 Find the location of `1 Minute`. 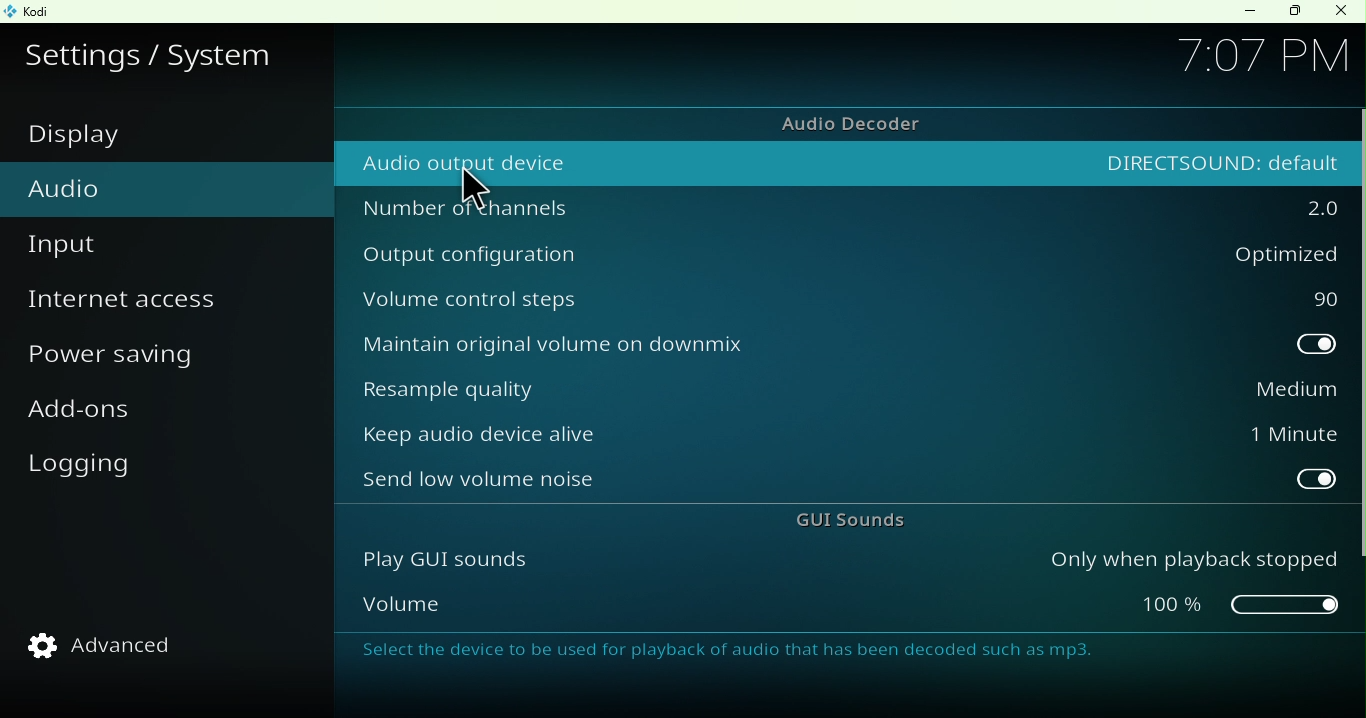

1 Minute is located at coordinates (1225, 436).